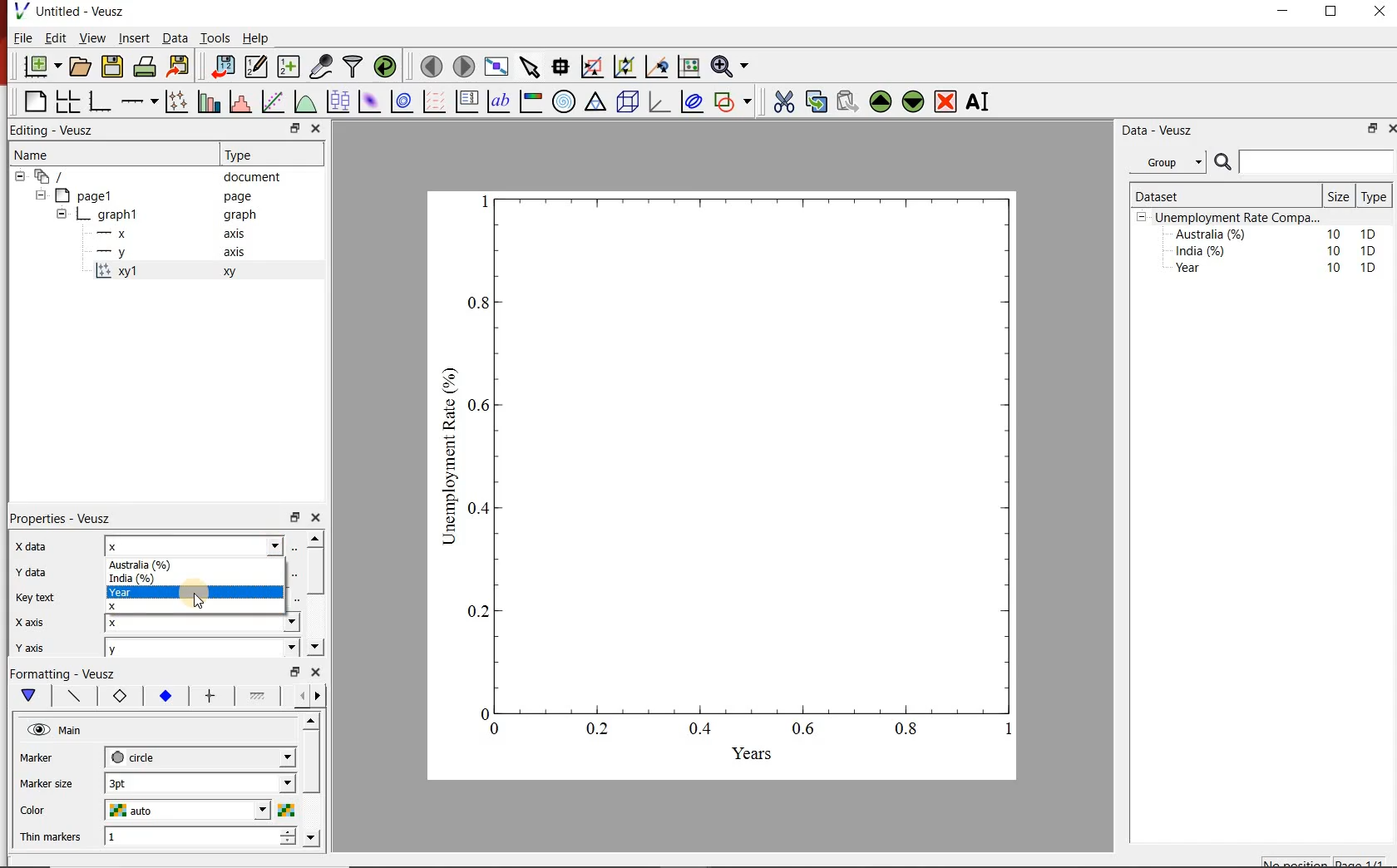 This screenshot has height=868, width=1397. What do you see at coordinates (48, 760) in the screenshot?
I see `MArker` at bounding box center [48, 760].